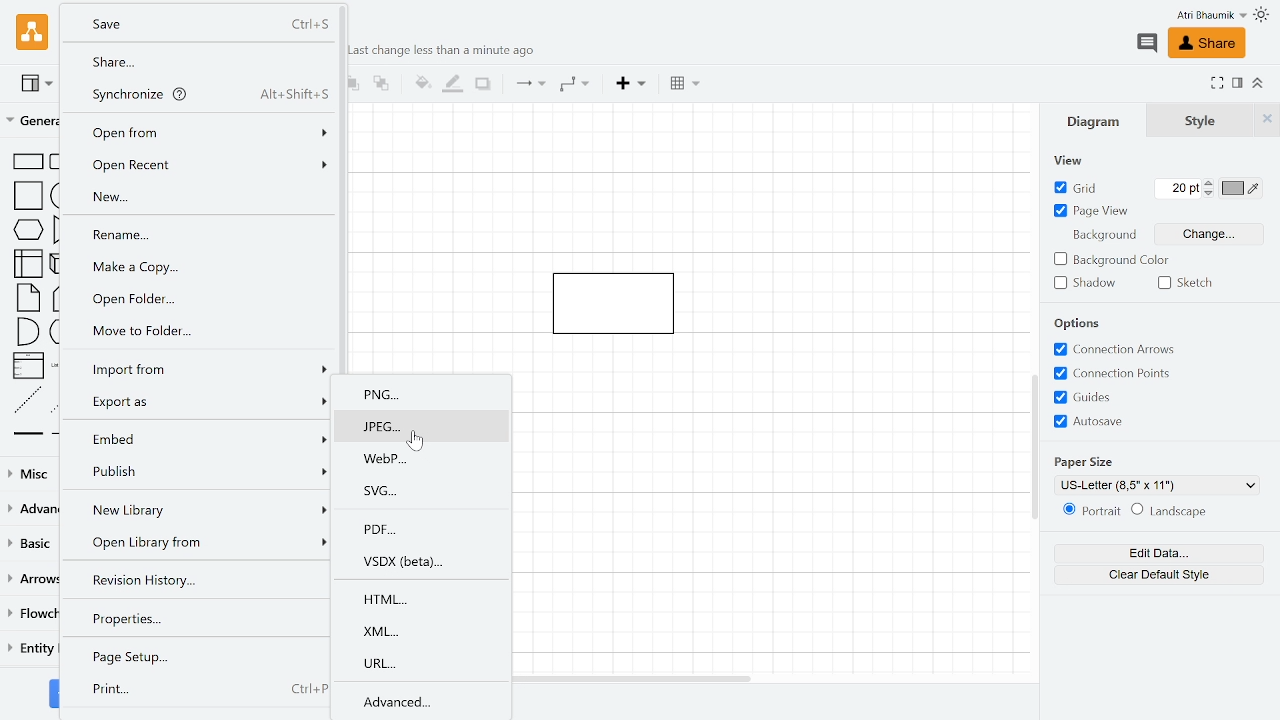 The image size is (1280, 720). I want to click on Publish, so click(197, 474).